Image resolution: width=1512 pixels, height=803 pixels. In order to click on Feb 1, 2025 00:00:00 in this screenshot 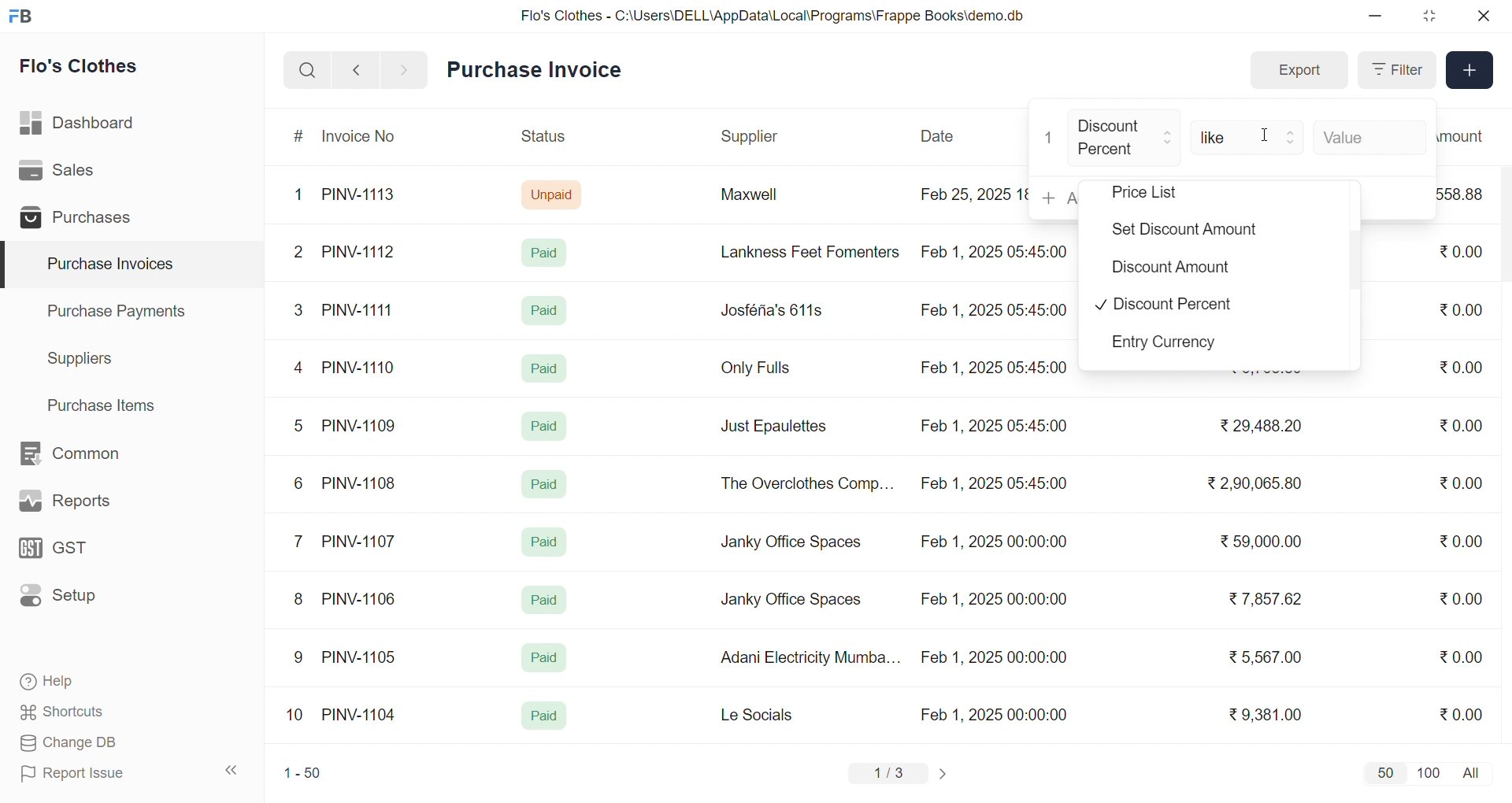, I will do `click(993, 544)`.